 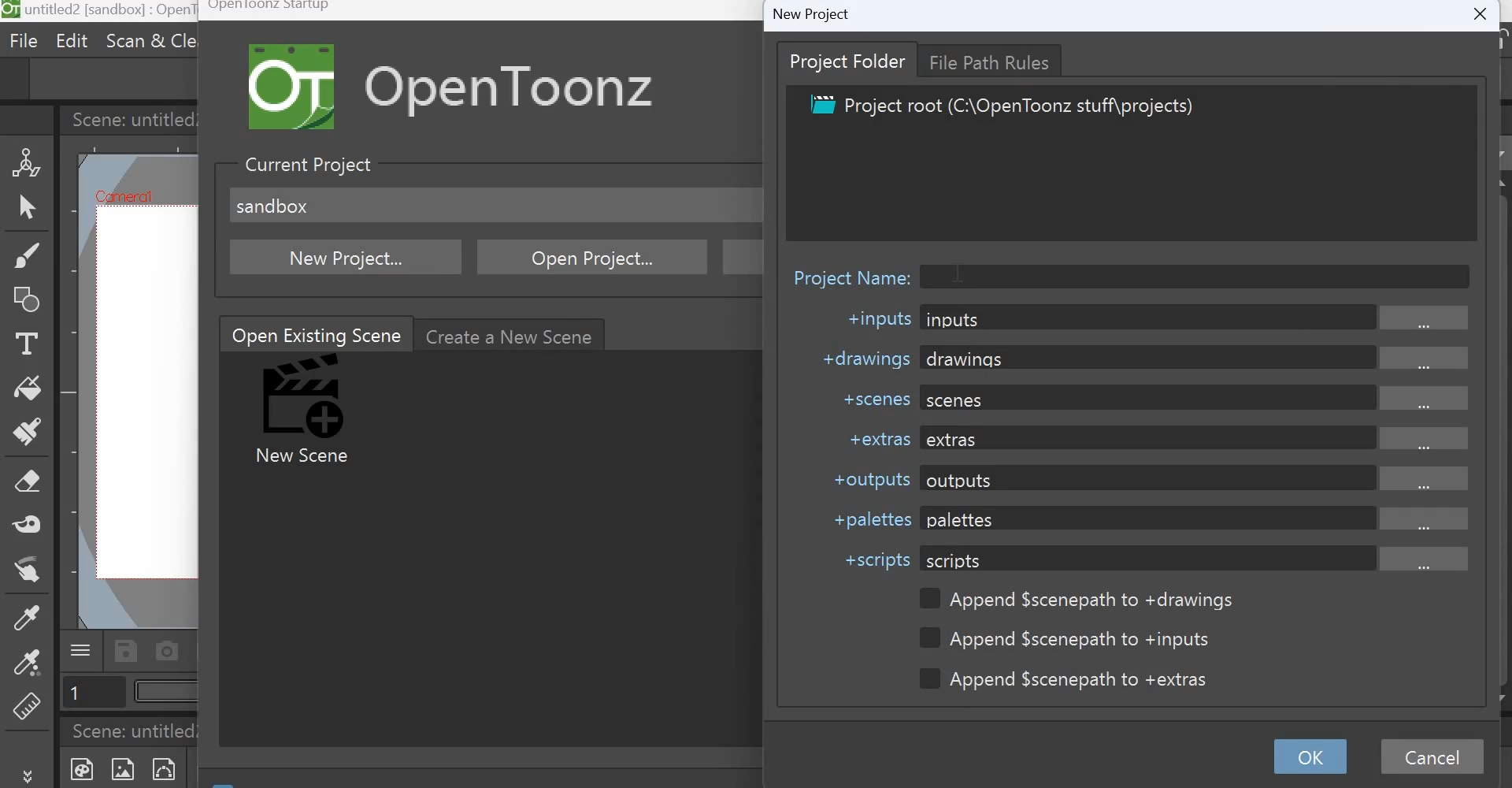 What do you see at coordinates (129, 118) in the screenshot?
I see `Scene: untitled2` at bounding box center [129, 118].